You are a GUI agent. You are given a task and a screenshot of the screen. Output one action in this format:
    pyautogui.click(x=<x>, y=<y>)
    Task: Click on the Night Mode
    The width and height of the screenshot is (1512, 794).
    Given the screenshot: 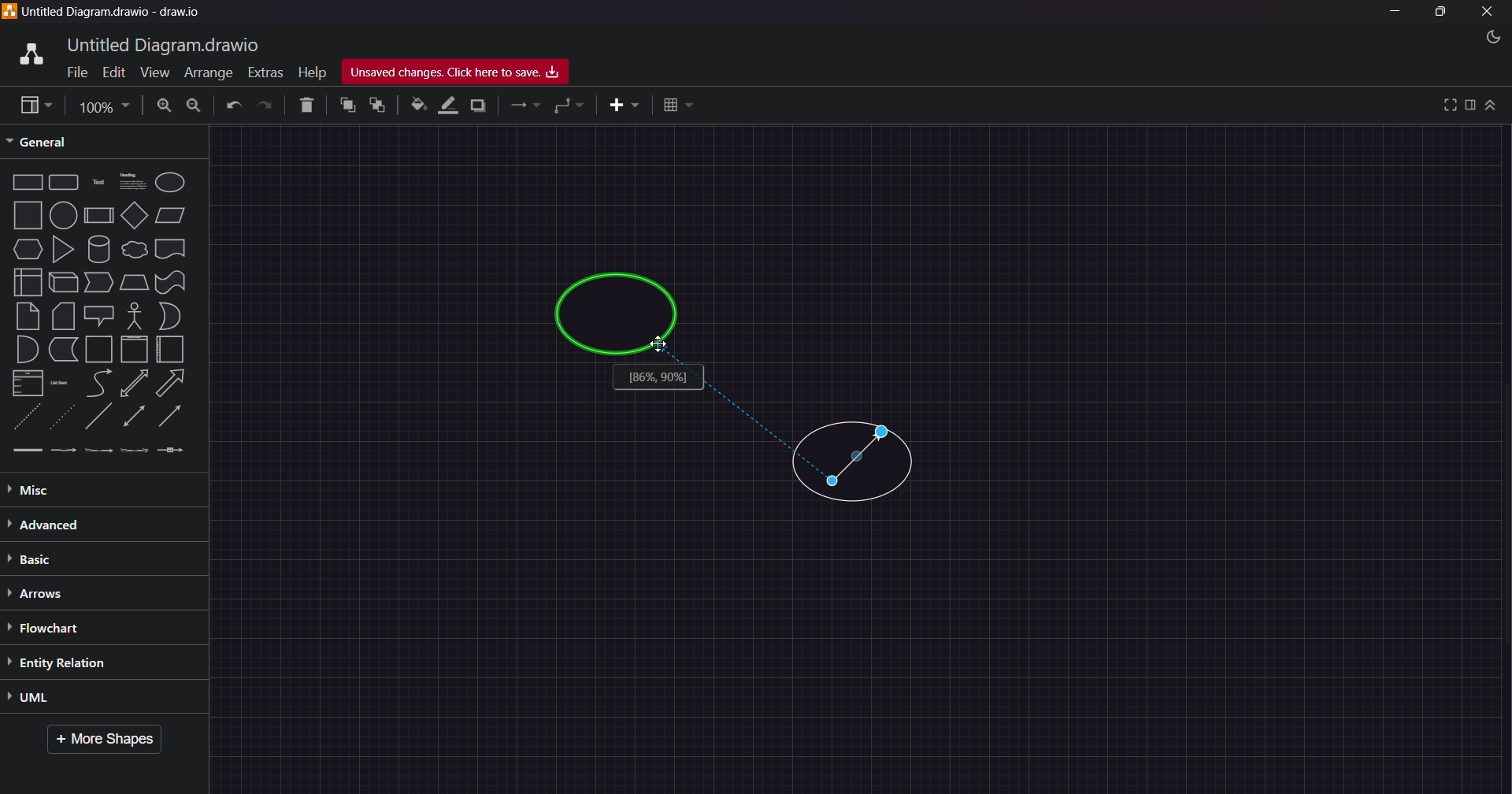 What is the action you would take?
    pyautogui.click(x=1484, y=37)
    